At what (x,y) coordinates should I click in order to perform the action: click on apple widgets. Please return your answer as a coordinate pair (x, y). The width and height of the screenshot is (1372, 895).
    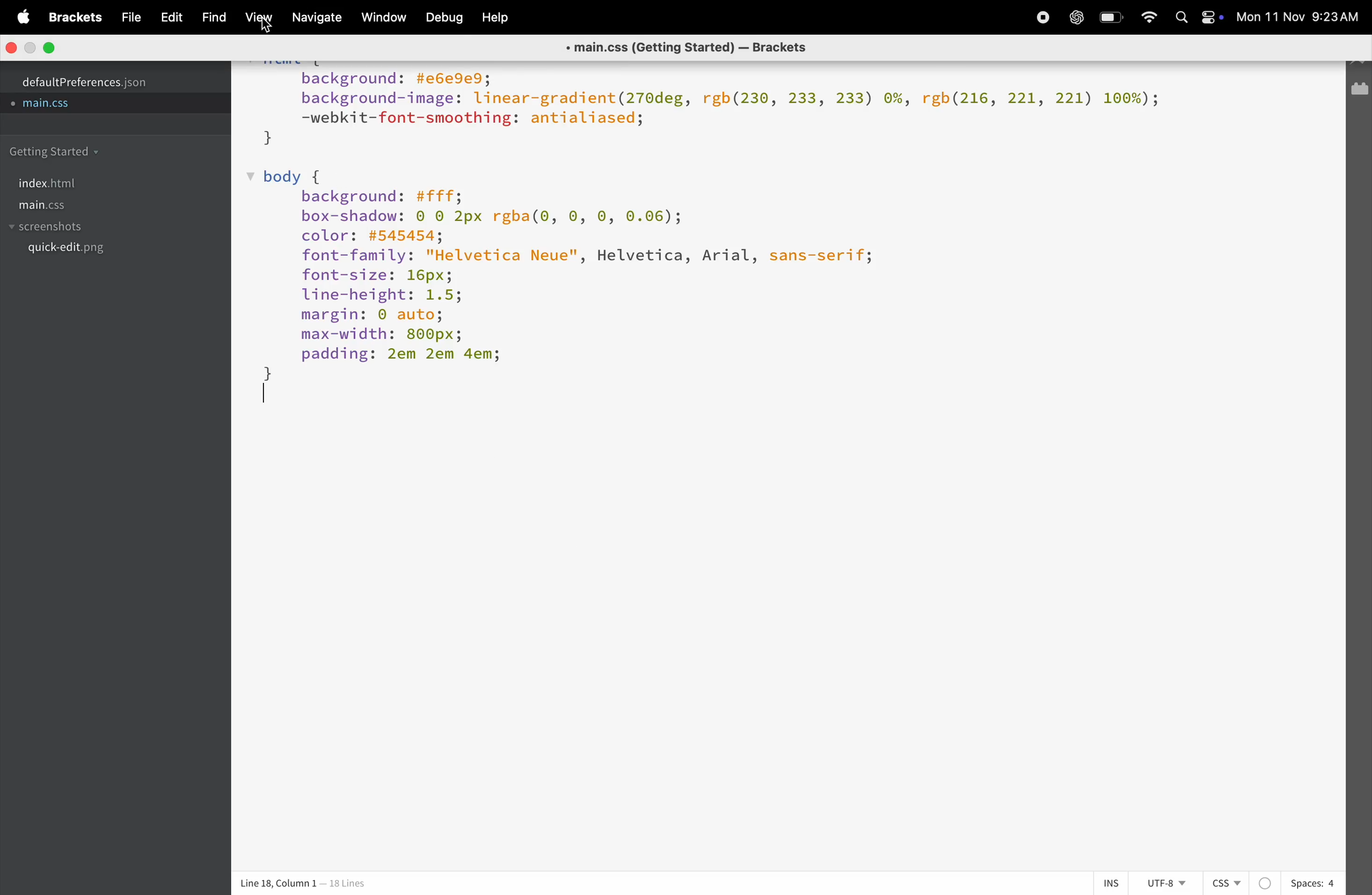
    Looking at the image, I should click on (1197, 18).